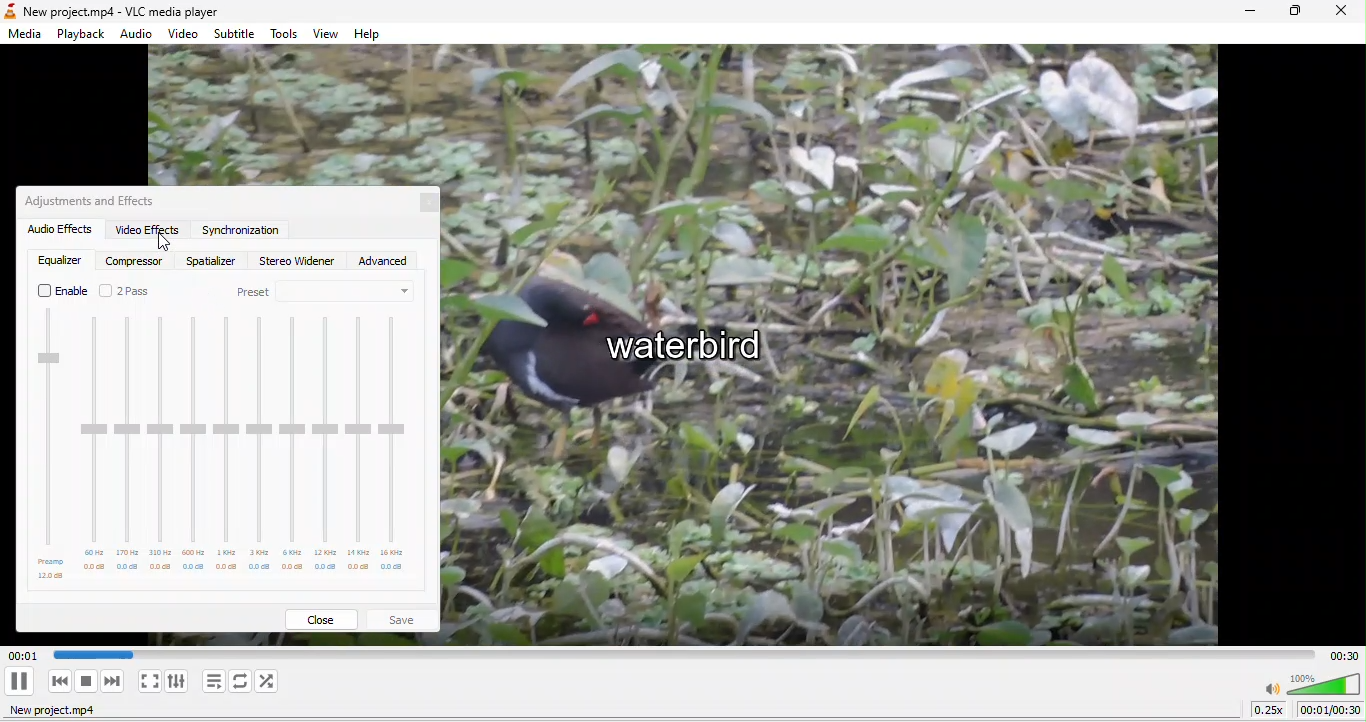 Image resolution: width=1366 pixels, height=722 pixels. I want to click on save, so click(406, 617).